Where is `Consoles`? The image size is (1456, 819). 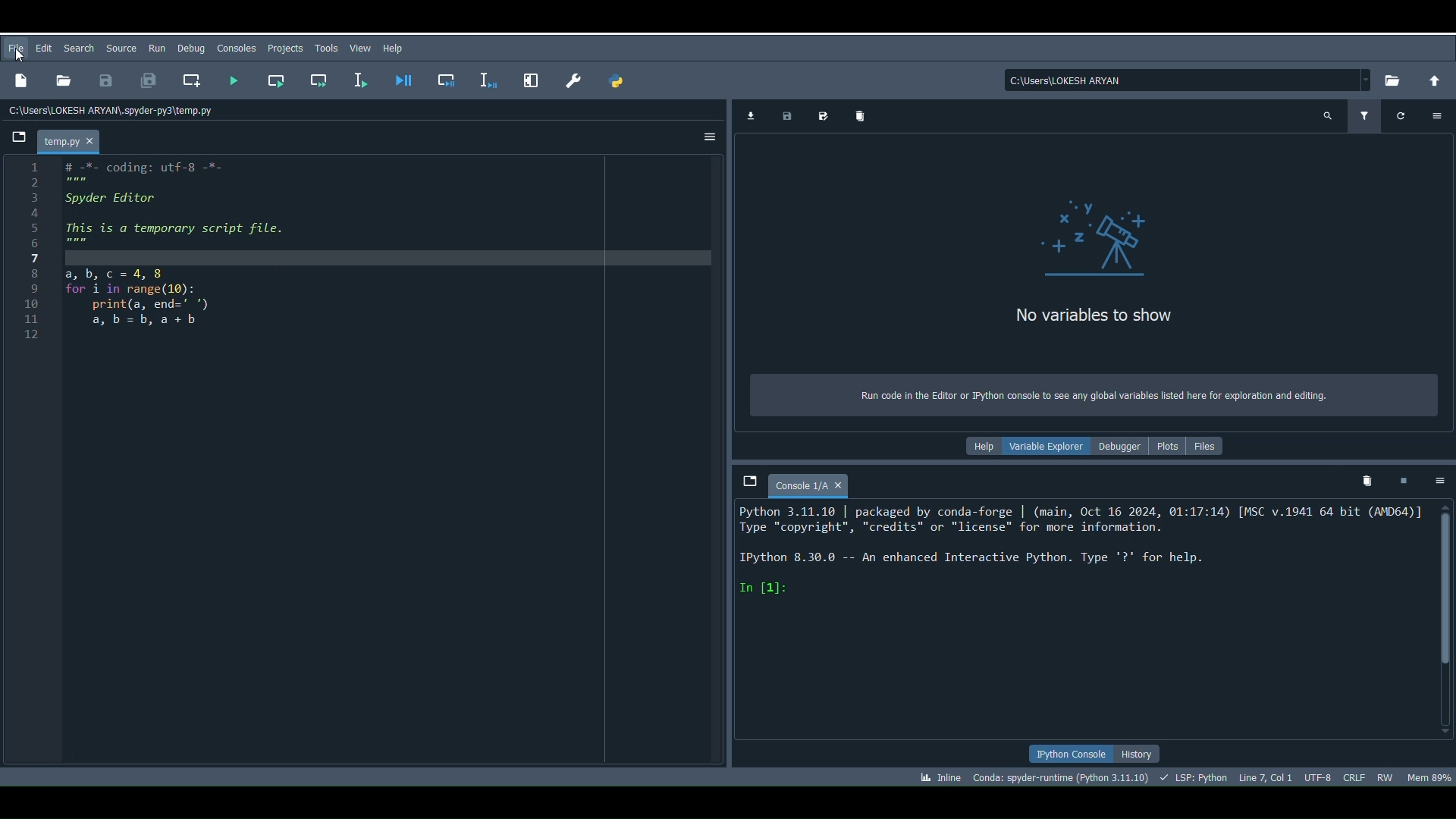
Consoles is located at coordinates (234, 47).